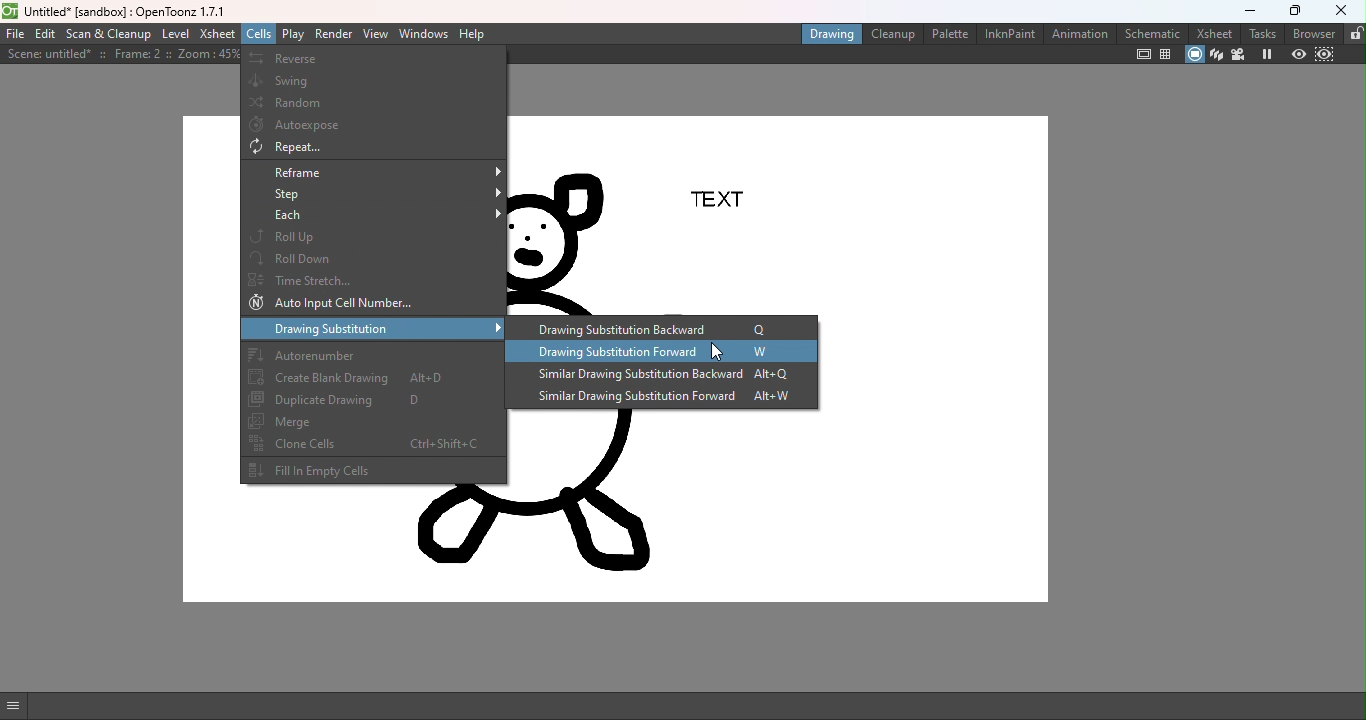  I want to click on Autoexpose, so click(378, 125).